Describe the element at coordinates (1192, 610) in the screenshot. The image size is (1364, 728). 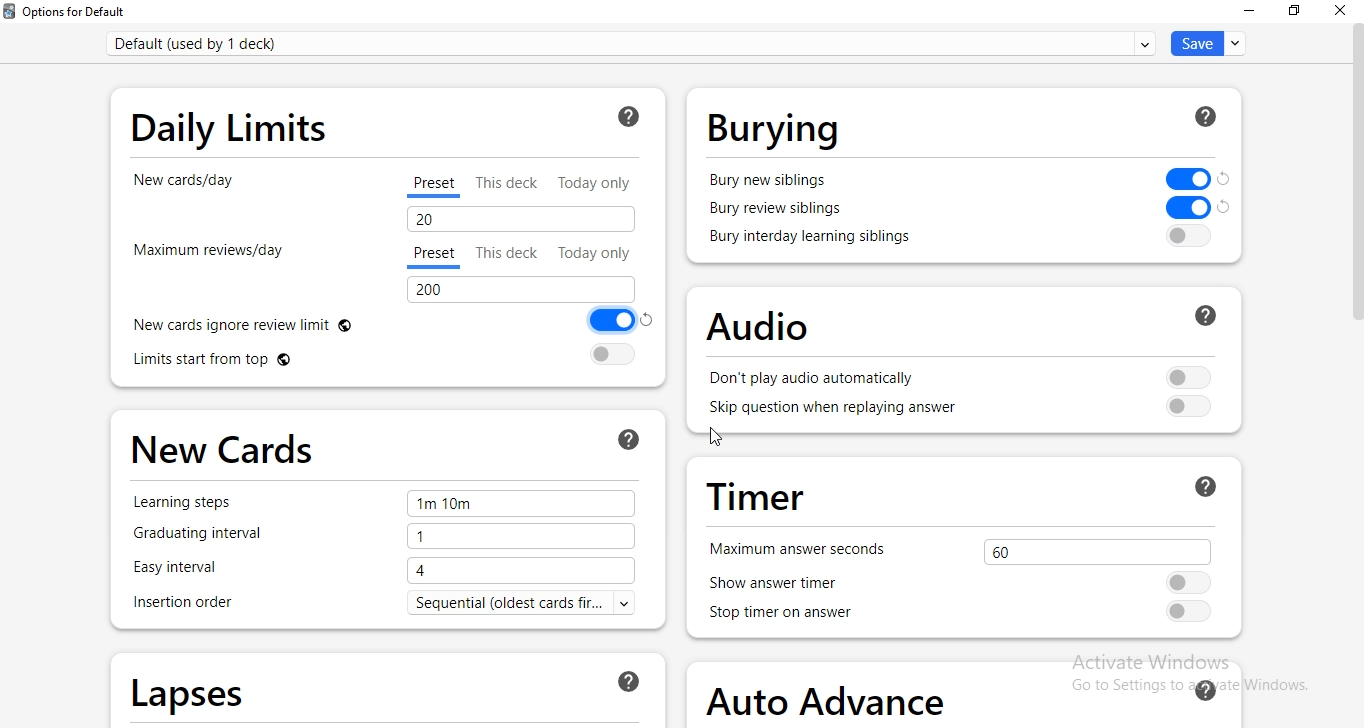
I see `toggle` at that location.